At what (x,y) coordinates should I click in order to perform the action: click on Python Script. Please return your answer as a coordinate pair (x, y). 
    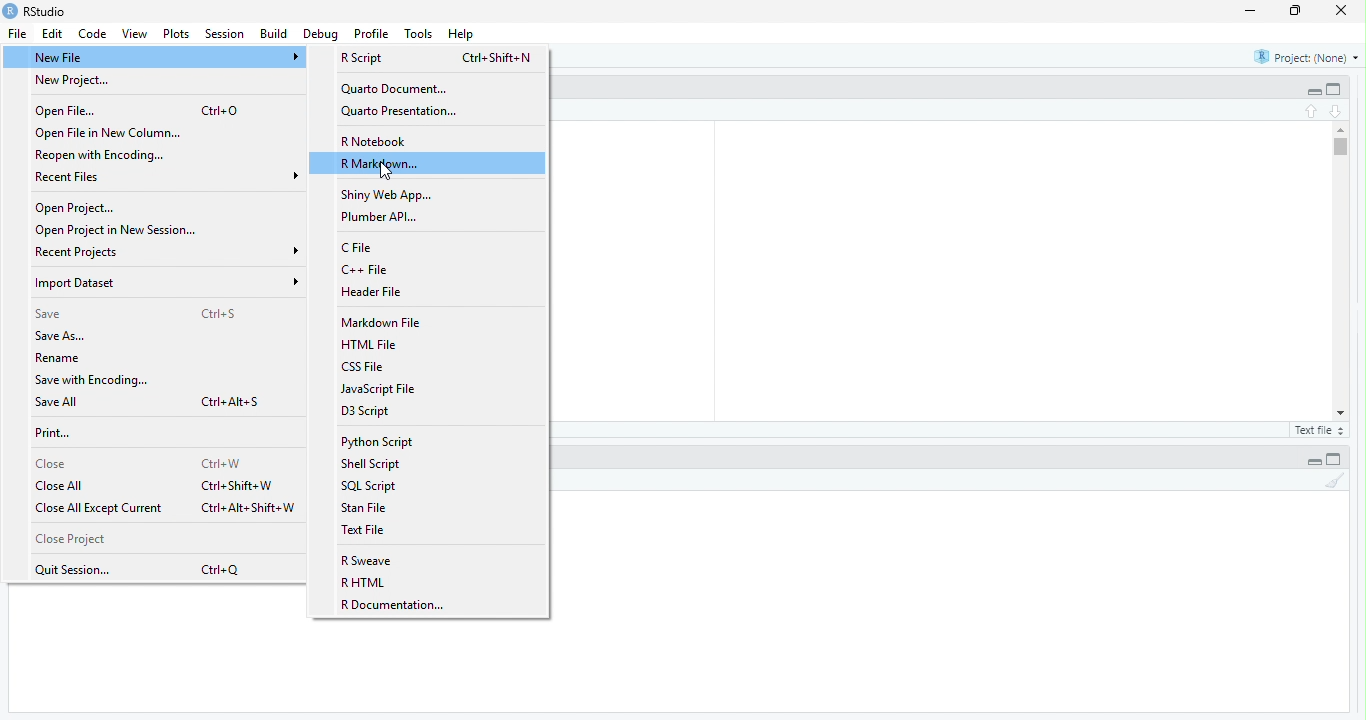
    Looking at the image, I should click on (377, 442).